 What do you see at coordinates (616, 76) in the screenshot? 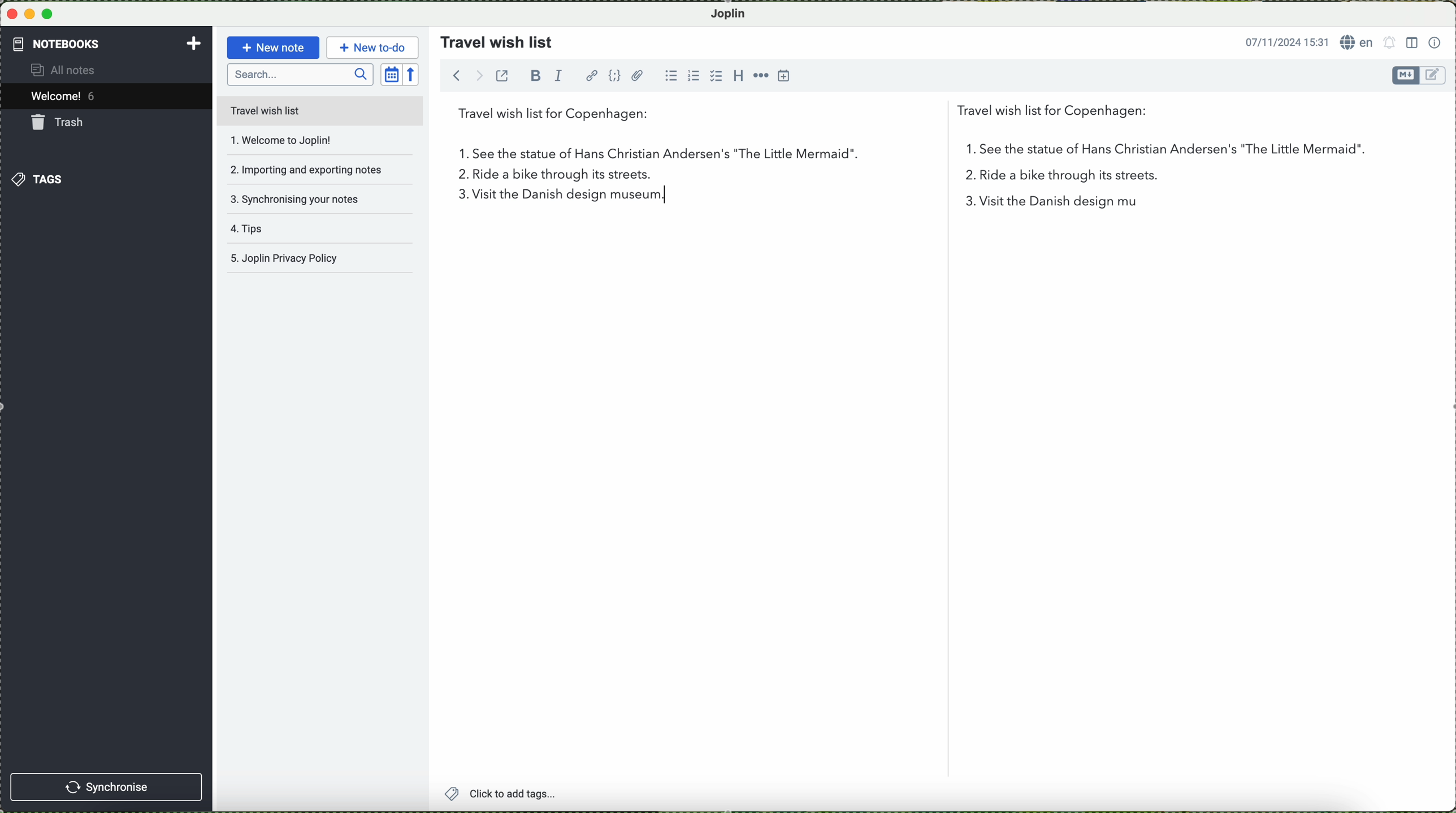
I see `code` at bounding box center [616, 76].